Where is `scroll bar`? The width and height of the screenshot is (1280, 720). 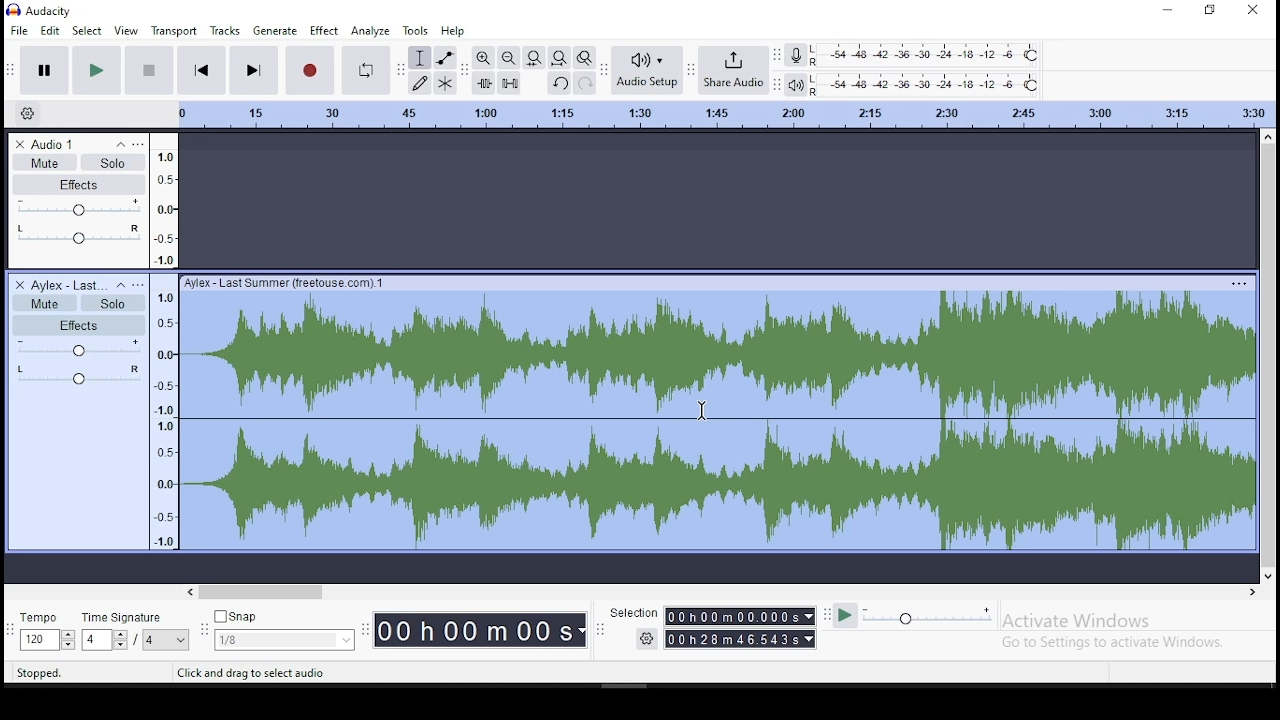
scroll bar is located at coordinates (1268, 357).